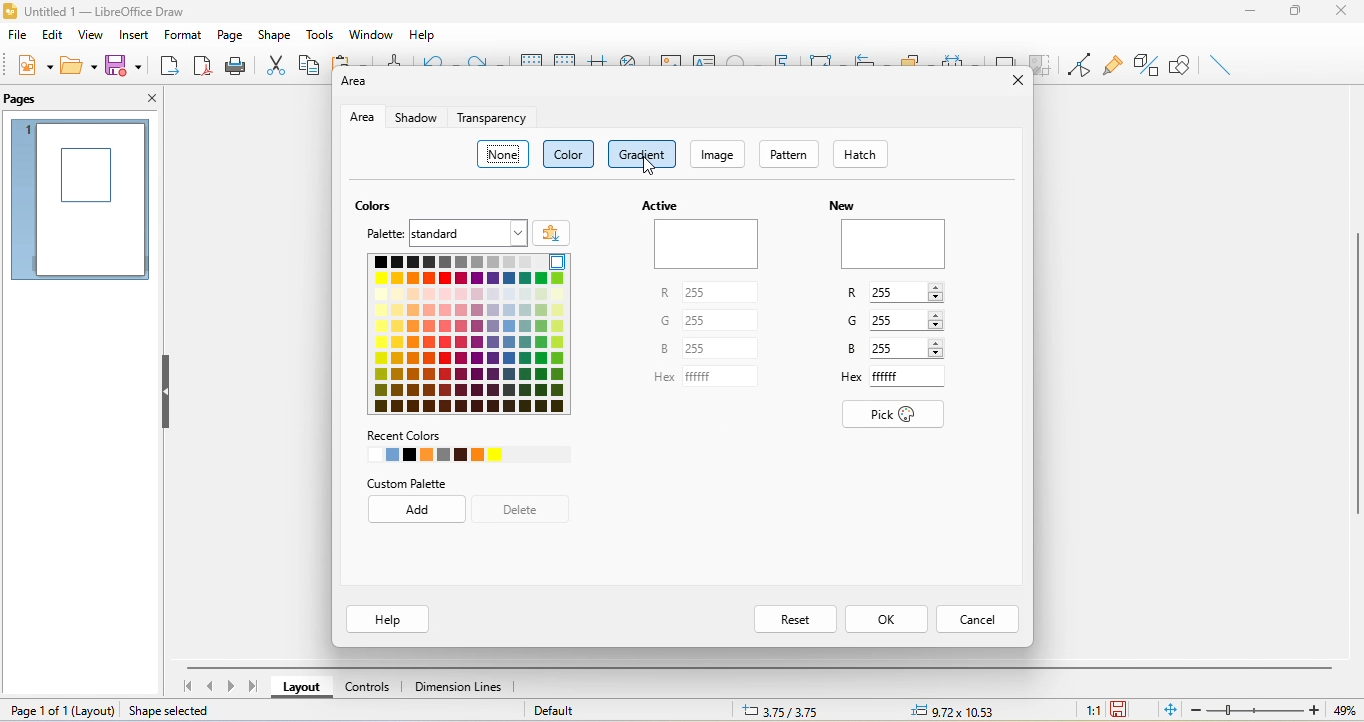  I want to click on delete, so click(528, 512).